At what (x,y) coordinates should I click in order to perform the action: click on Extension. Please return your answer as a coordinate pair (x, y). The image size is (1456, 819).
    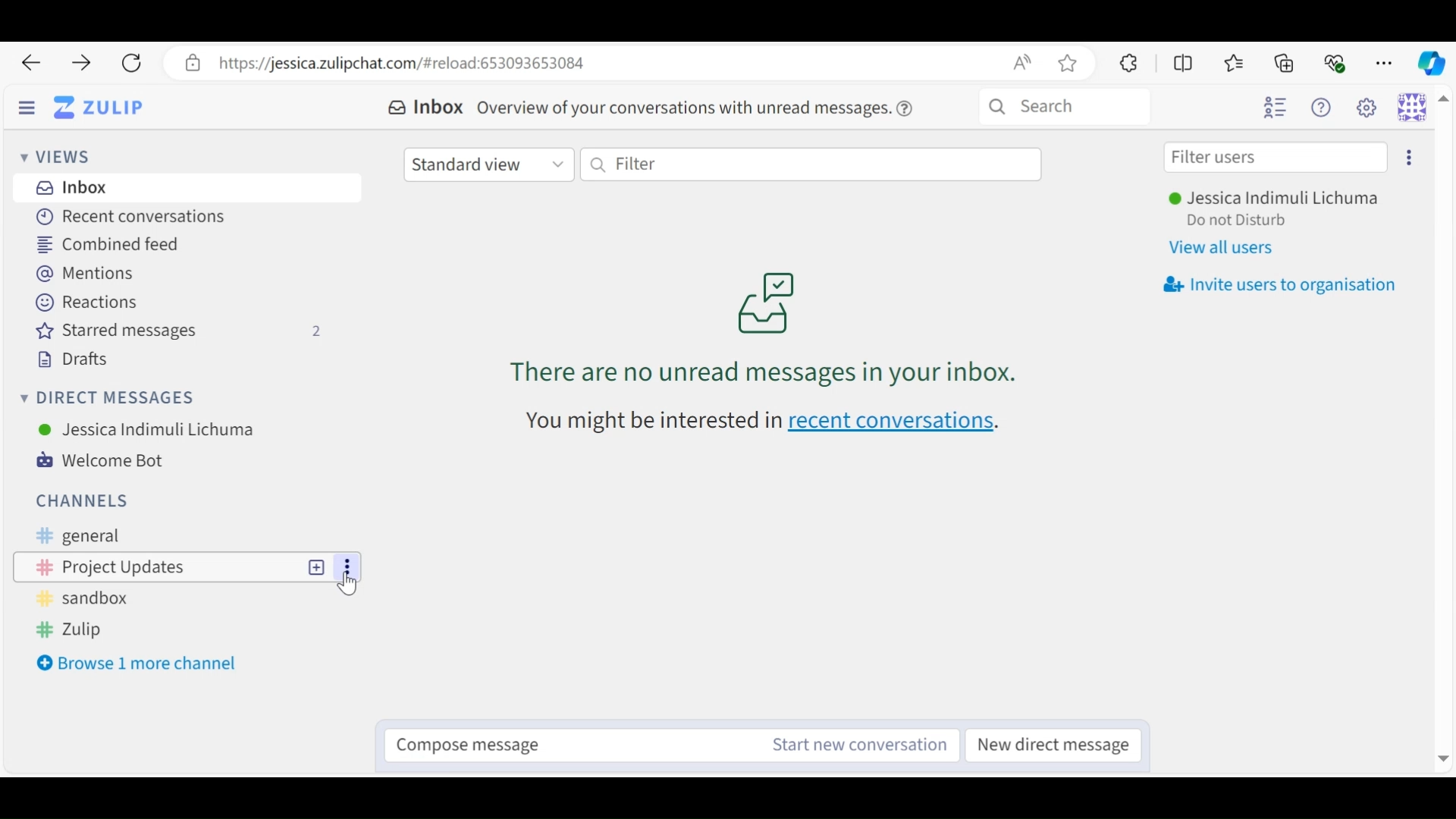
    Looking at the image, I should click on (1126, 62).